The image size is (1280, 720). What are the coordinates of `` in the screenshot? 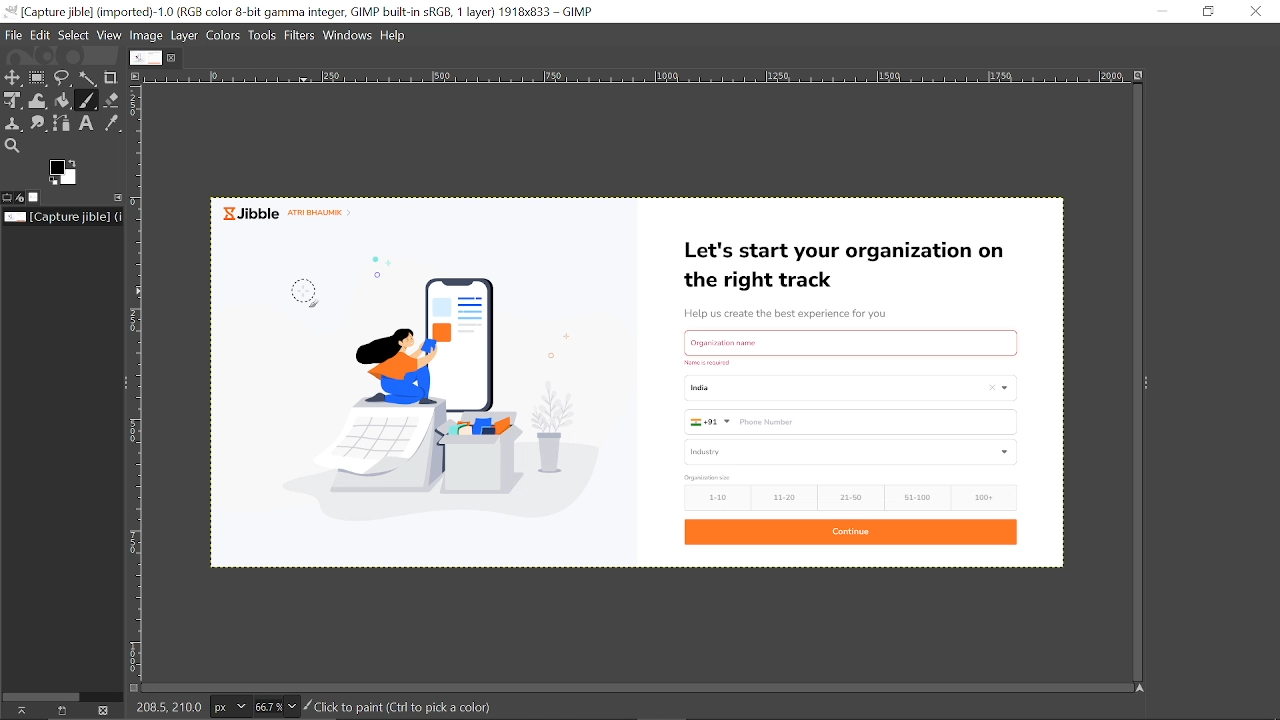 It's located at (1208, 13).